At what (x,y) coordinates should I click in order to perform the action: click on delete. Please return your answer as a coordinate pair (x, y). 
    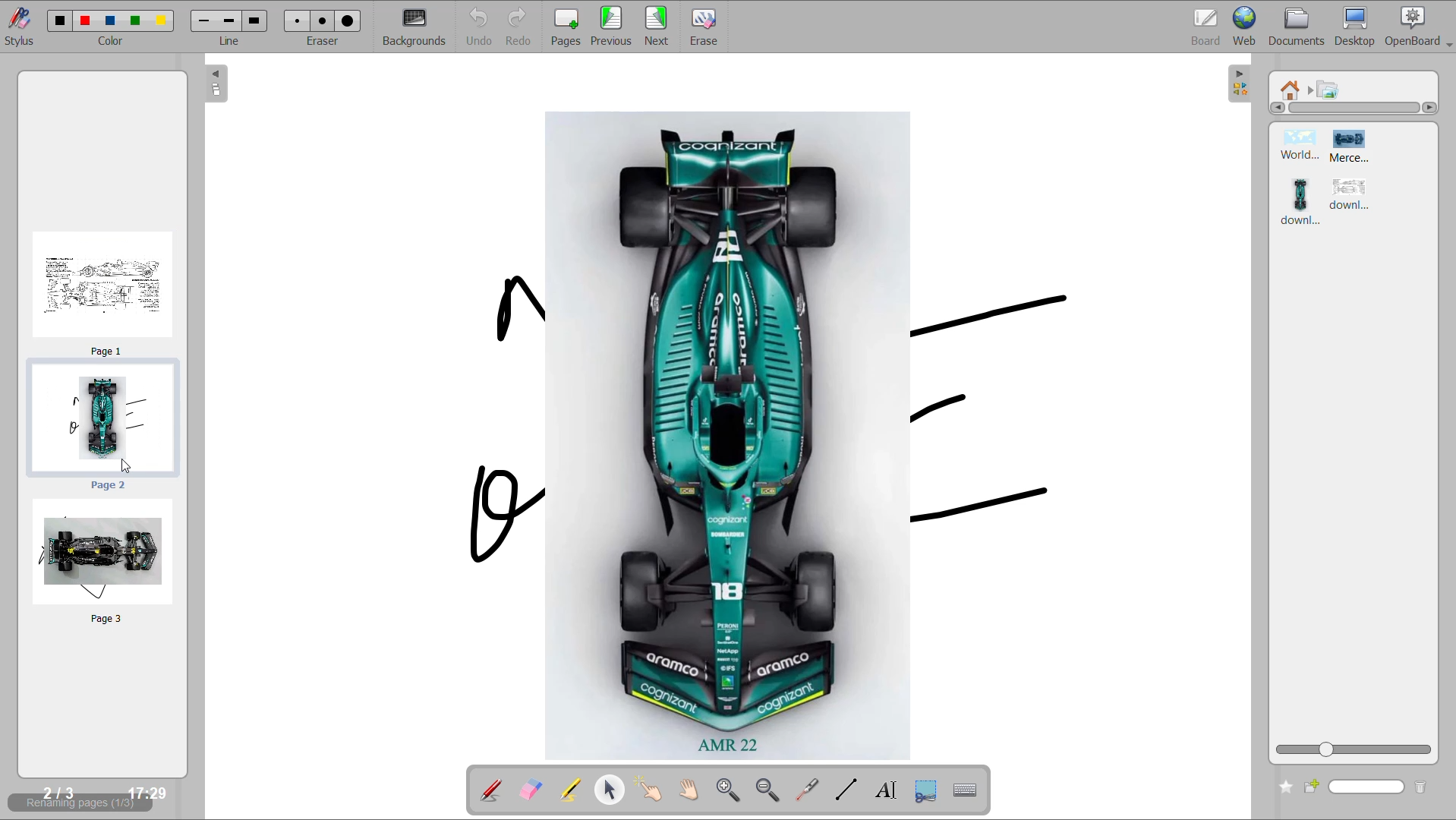
    Looking at the image, I should click on (1422, 787).